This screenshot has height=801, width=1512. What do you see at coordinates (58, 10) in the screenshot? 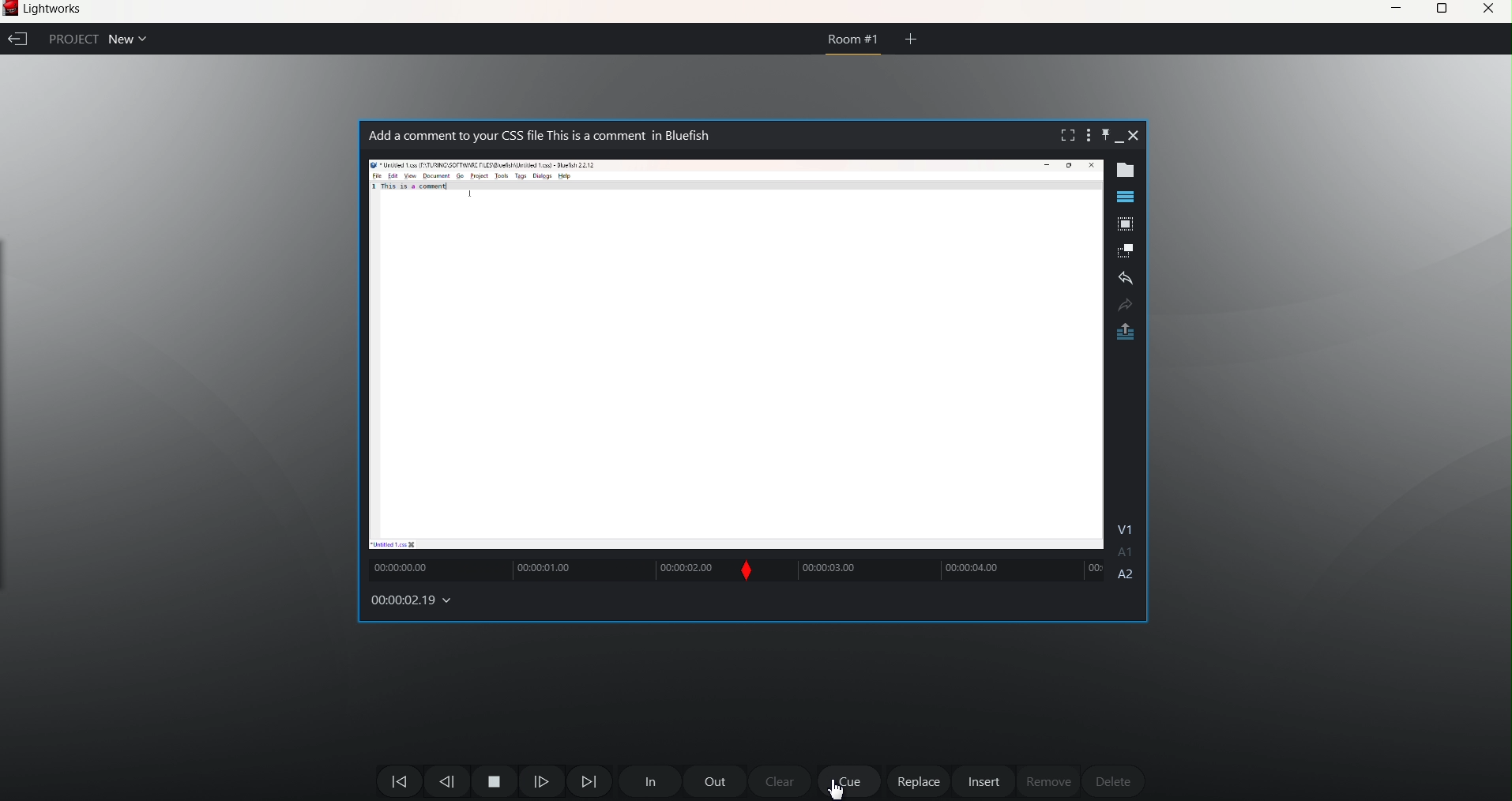
I see `Lightworks` at bounding box center [58, 10].